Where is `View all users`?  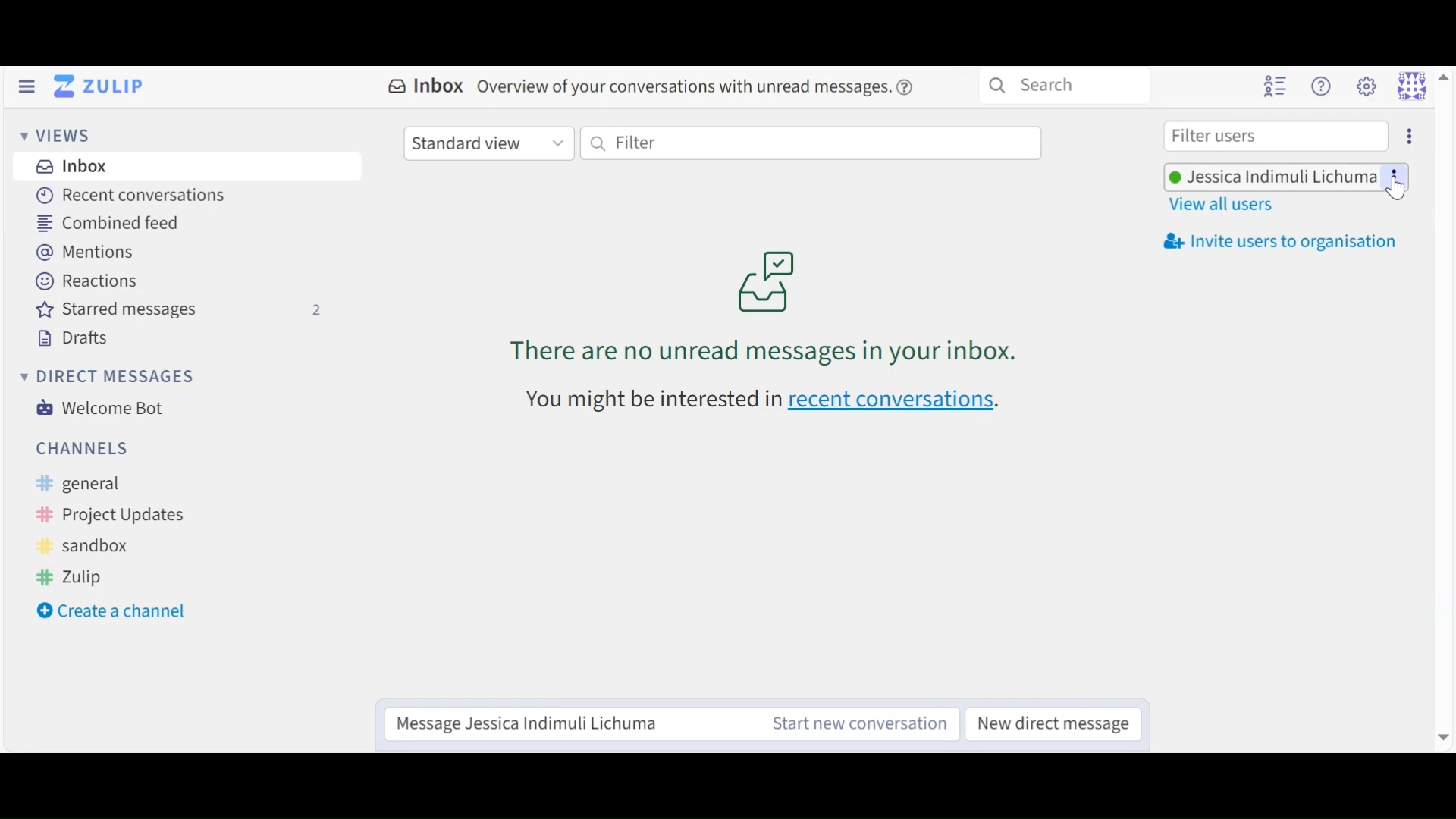
View all users is located at coordinates (1222, 206).